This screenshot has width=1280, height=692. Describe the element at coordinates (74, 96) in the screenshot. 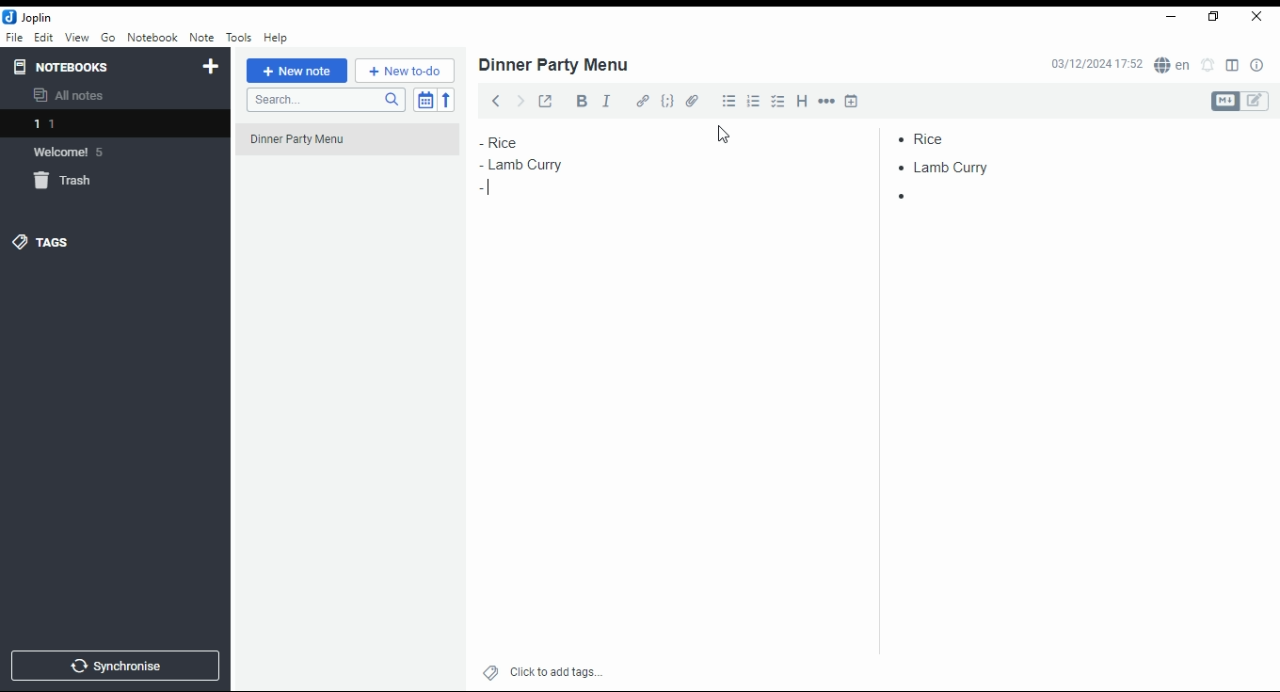

I see `all notes` at that location.